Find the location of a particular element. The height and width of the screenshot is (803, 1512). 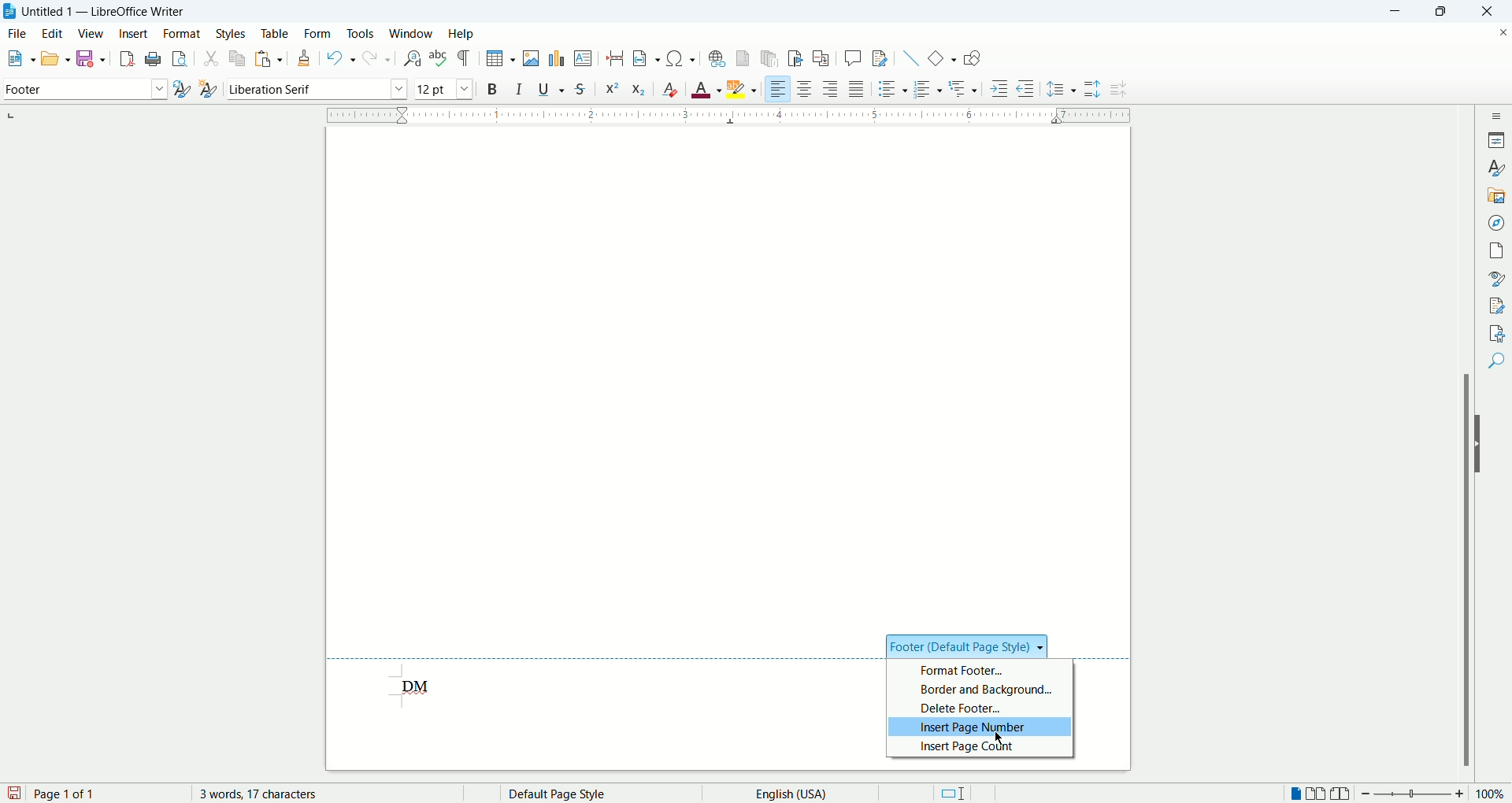

open is located at coordinates (54, 57).